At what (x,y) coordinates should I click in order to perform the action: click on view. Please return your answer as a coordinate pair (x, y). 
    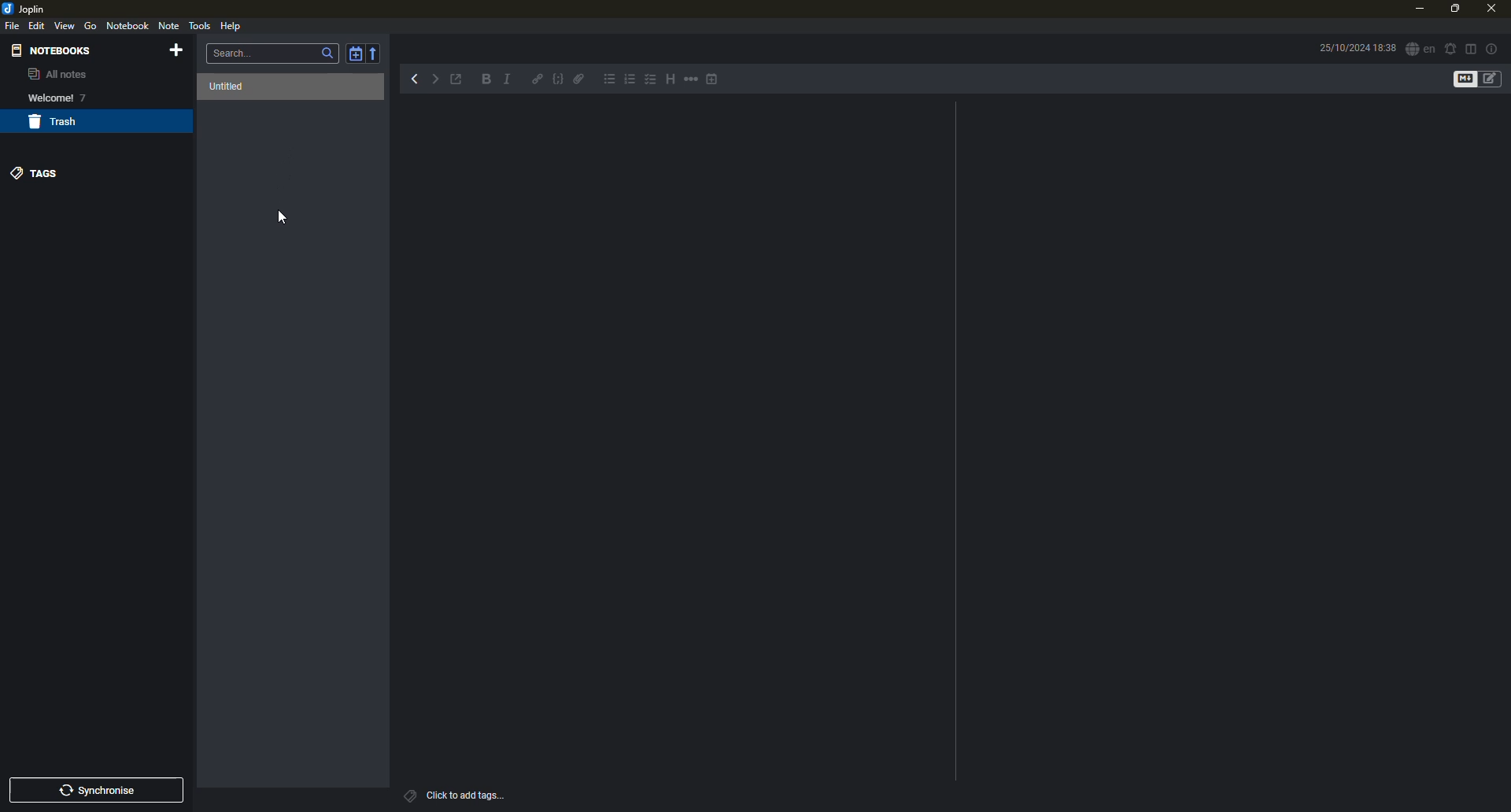
    Looking at the image, I should click on (65, 25).